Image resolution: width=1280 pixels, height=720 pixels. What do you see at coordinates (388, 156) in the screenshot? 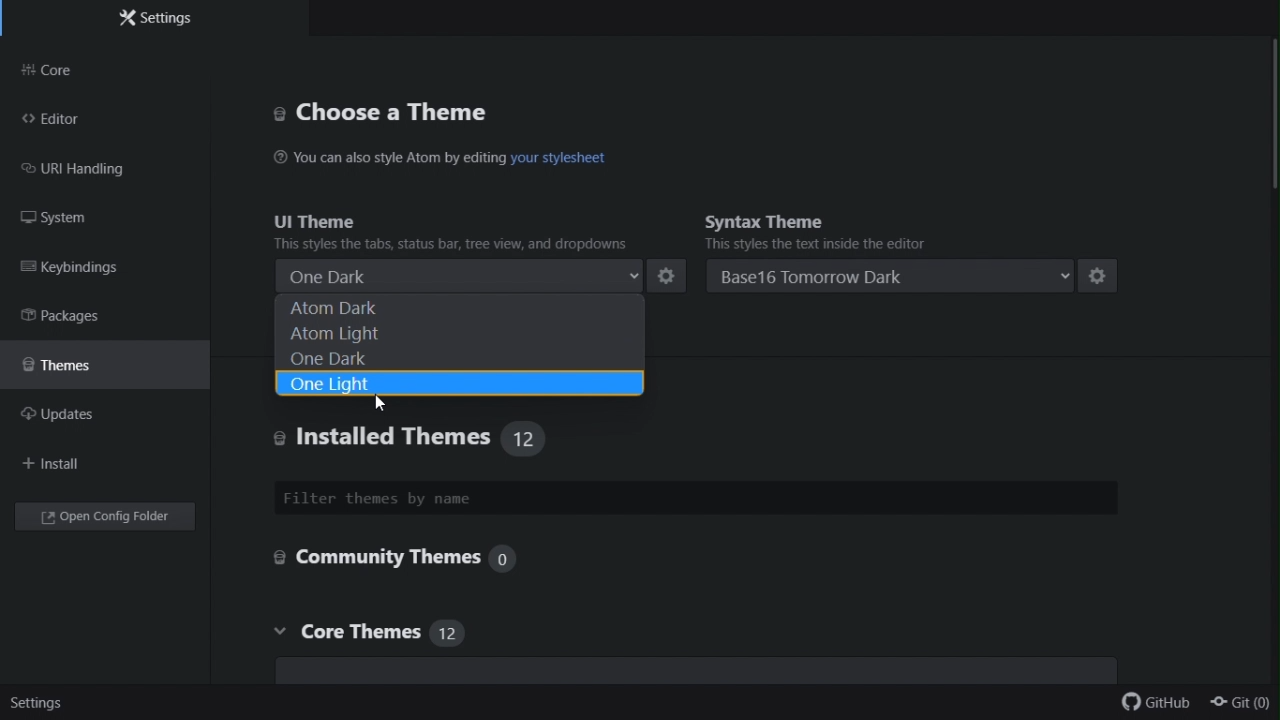
I see `‘You can also style Atom by editing` at bounding box center [388, 156].